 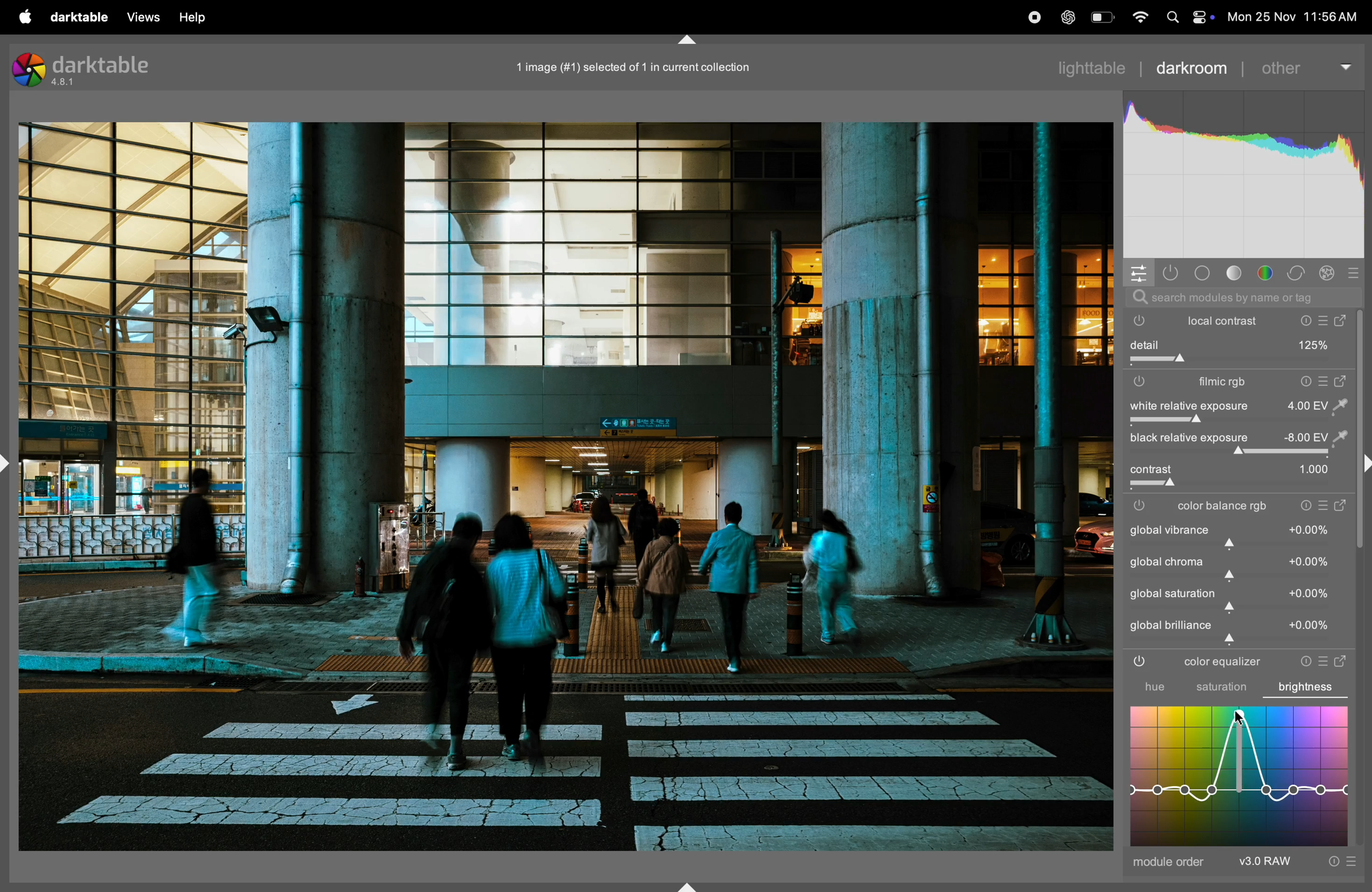 I want to click on image title, so click(x=650, y=67).